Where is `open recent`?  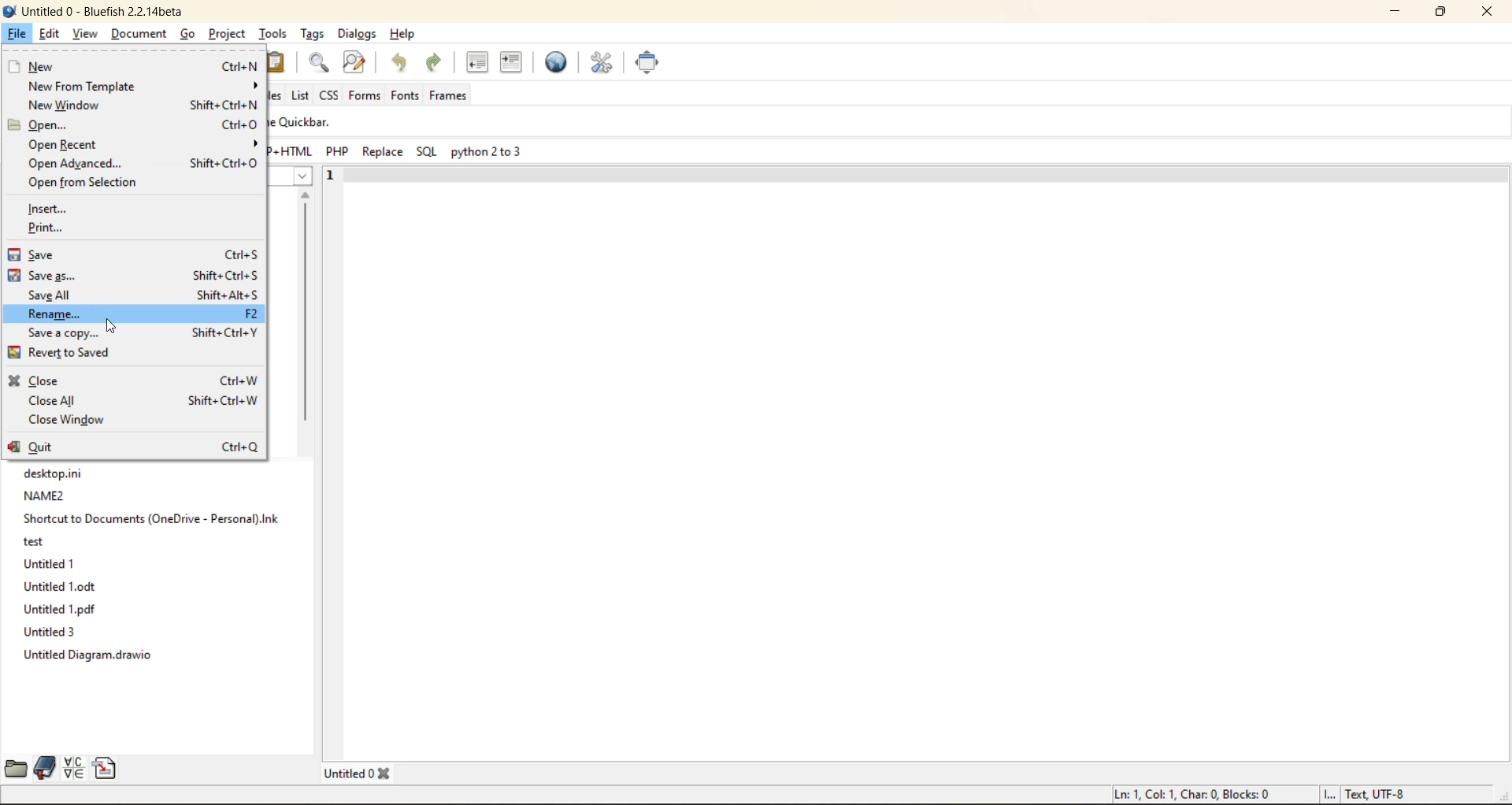 open recent is located at coordinates (67, 146).